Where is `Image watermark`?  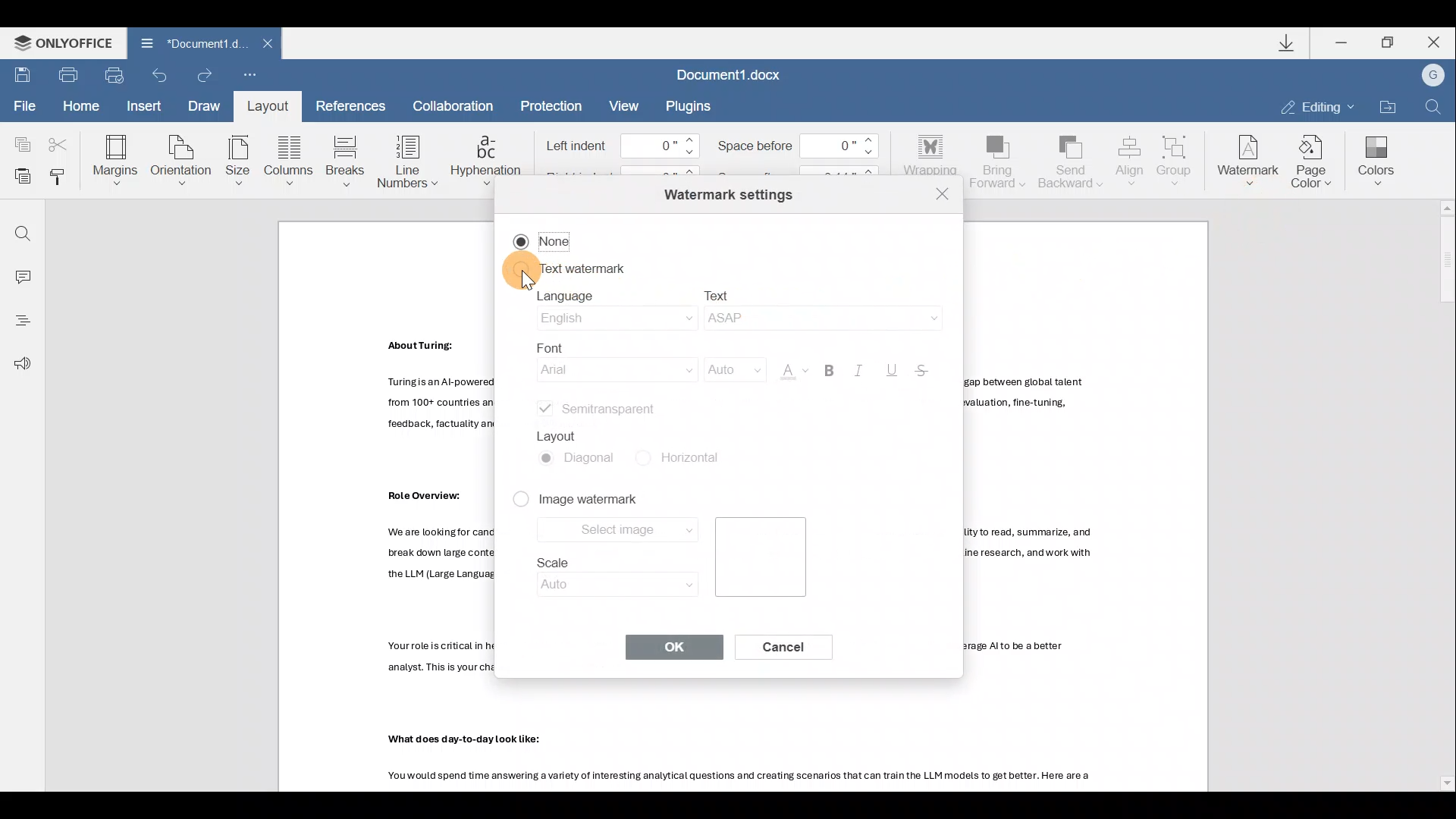
Image watermark is located at coordinates (591, 503).